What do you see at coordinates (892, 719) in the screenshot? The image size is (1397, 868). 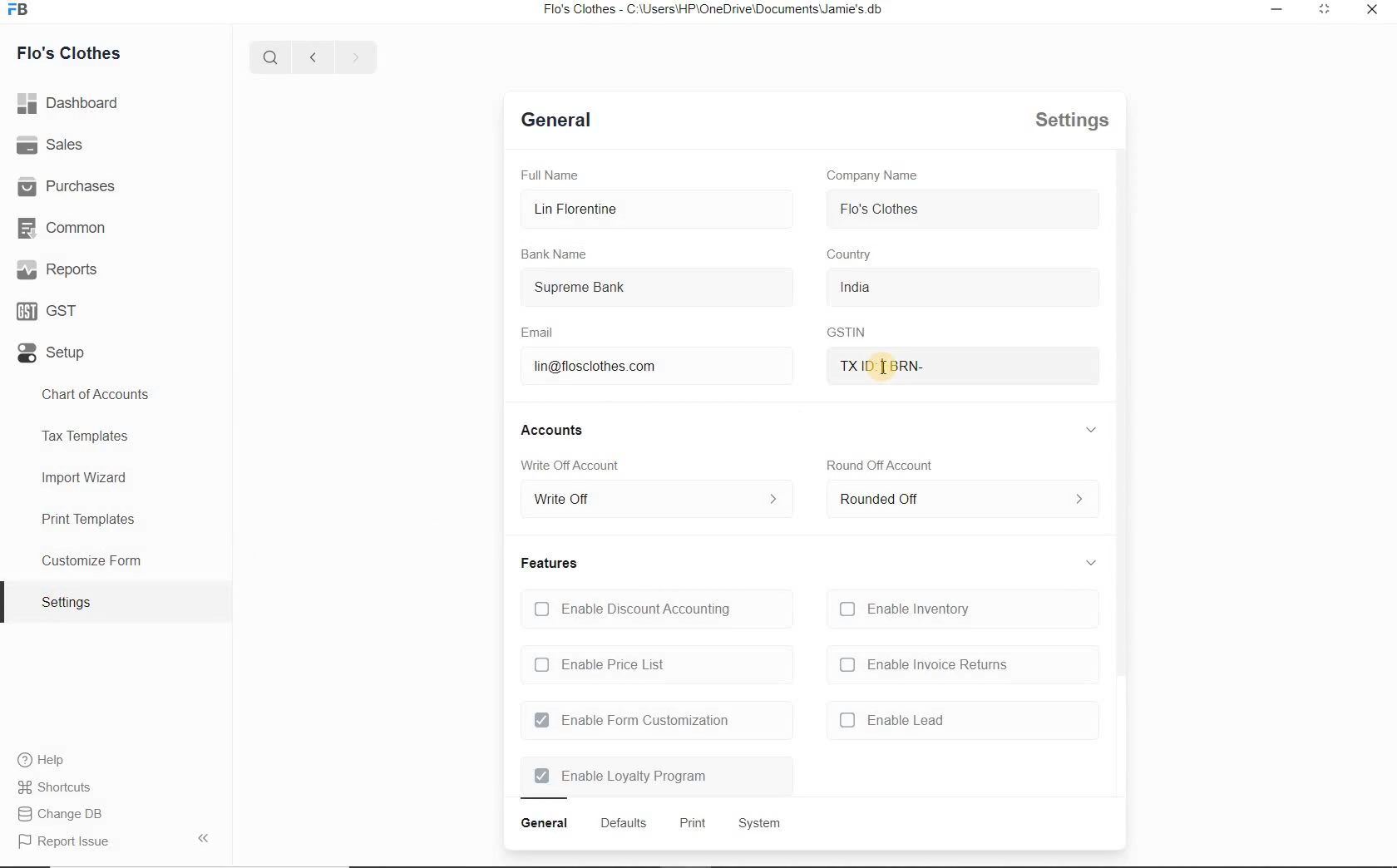 I see `enable lead` at bounding box center [892, 719].